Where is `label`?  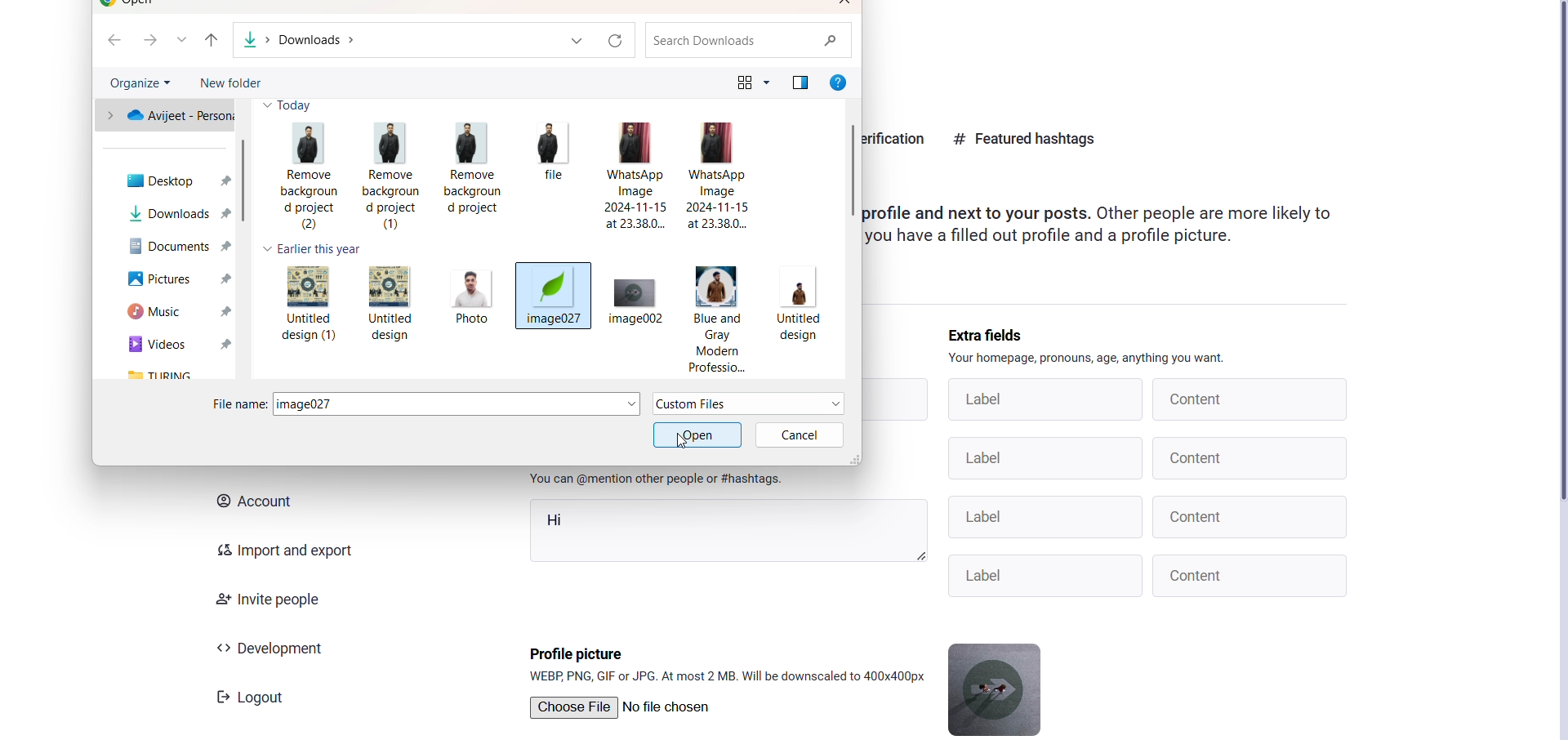 label is located at coordinates (1044, 399).